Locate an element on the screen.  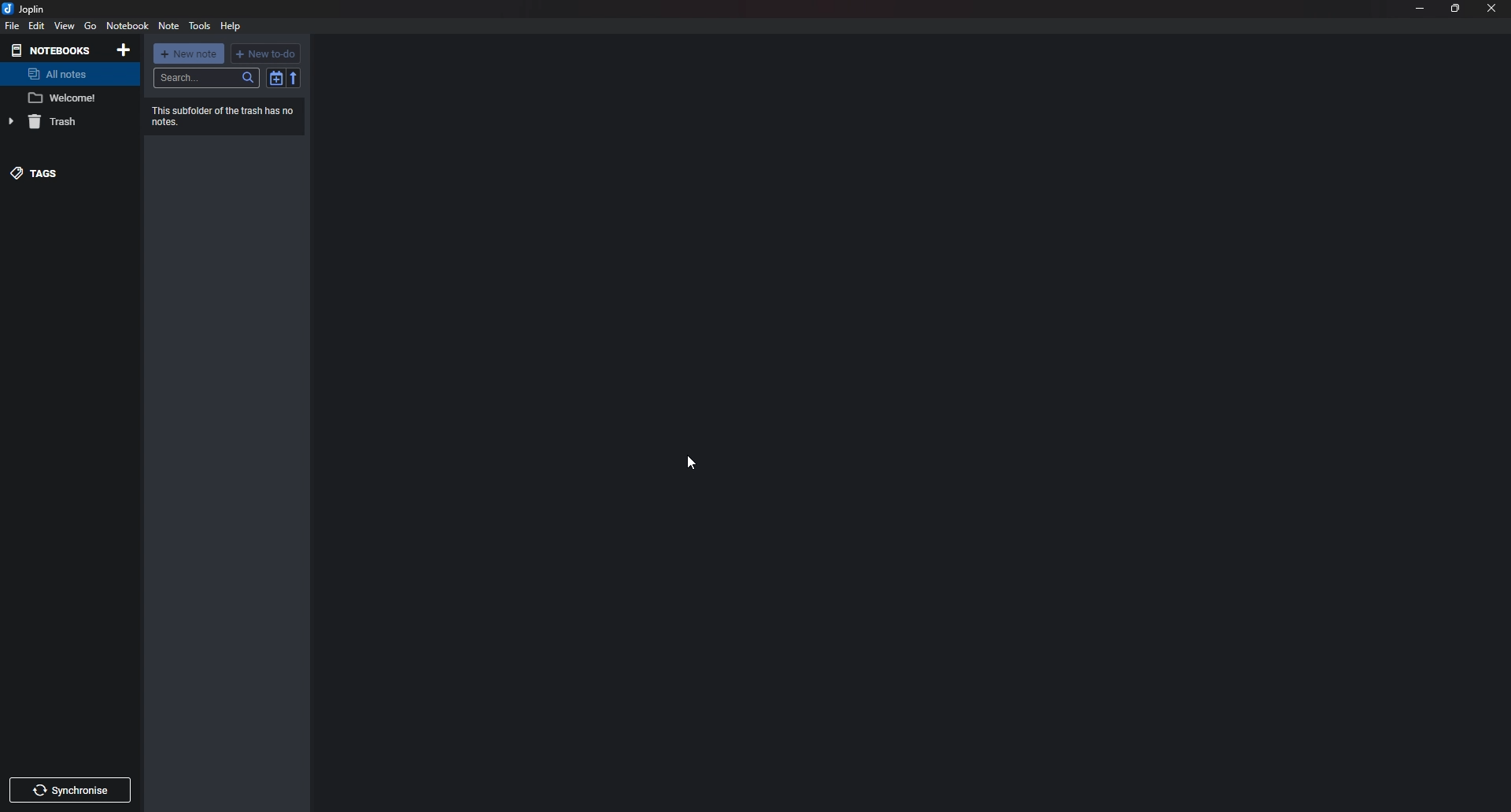
Notebook is located at coordinates (127, 27).